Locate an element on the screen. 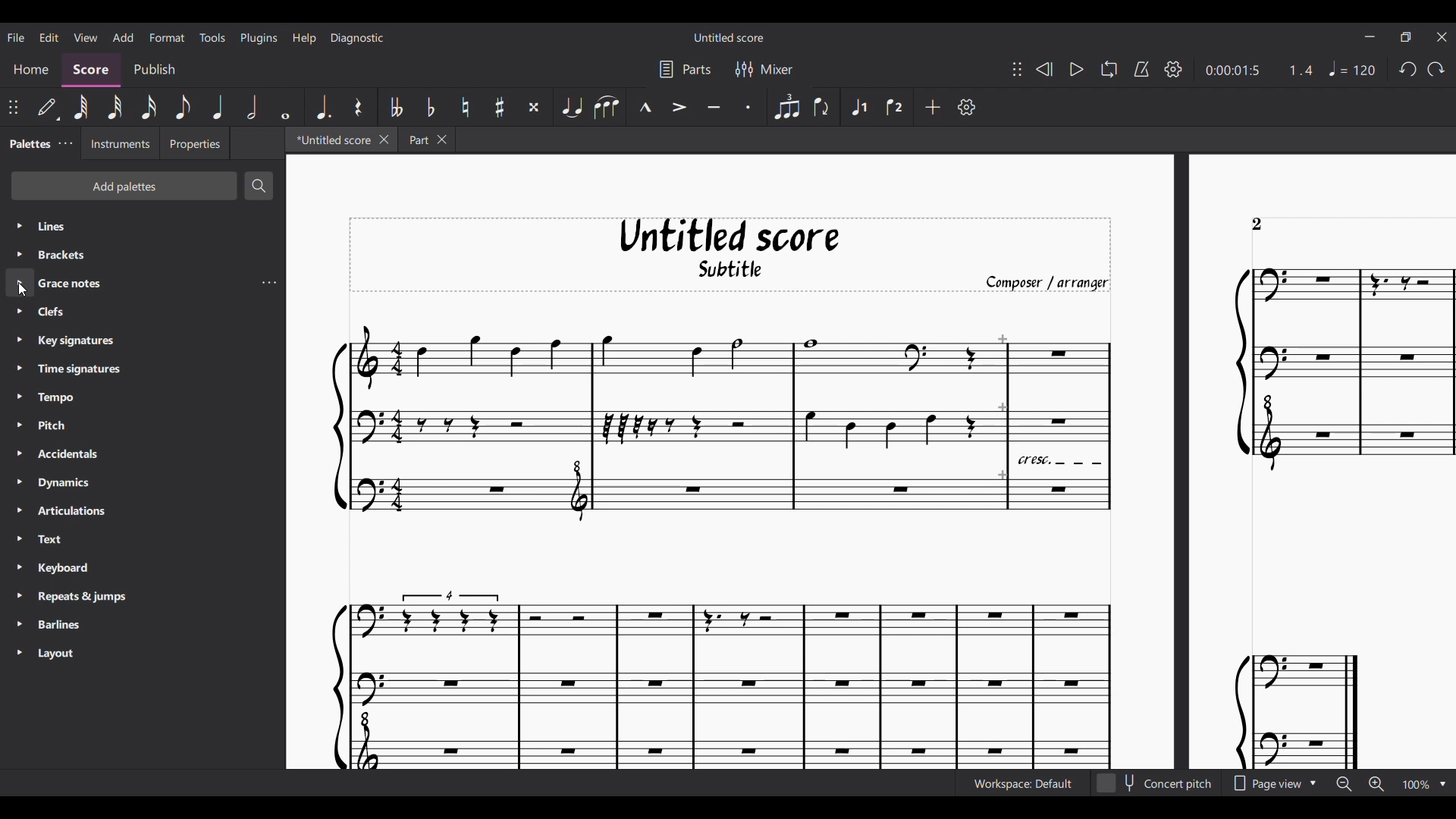  Default is located at coordinates (49, 108).